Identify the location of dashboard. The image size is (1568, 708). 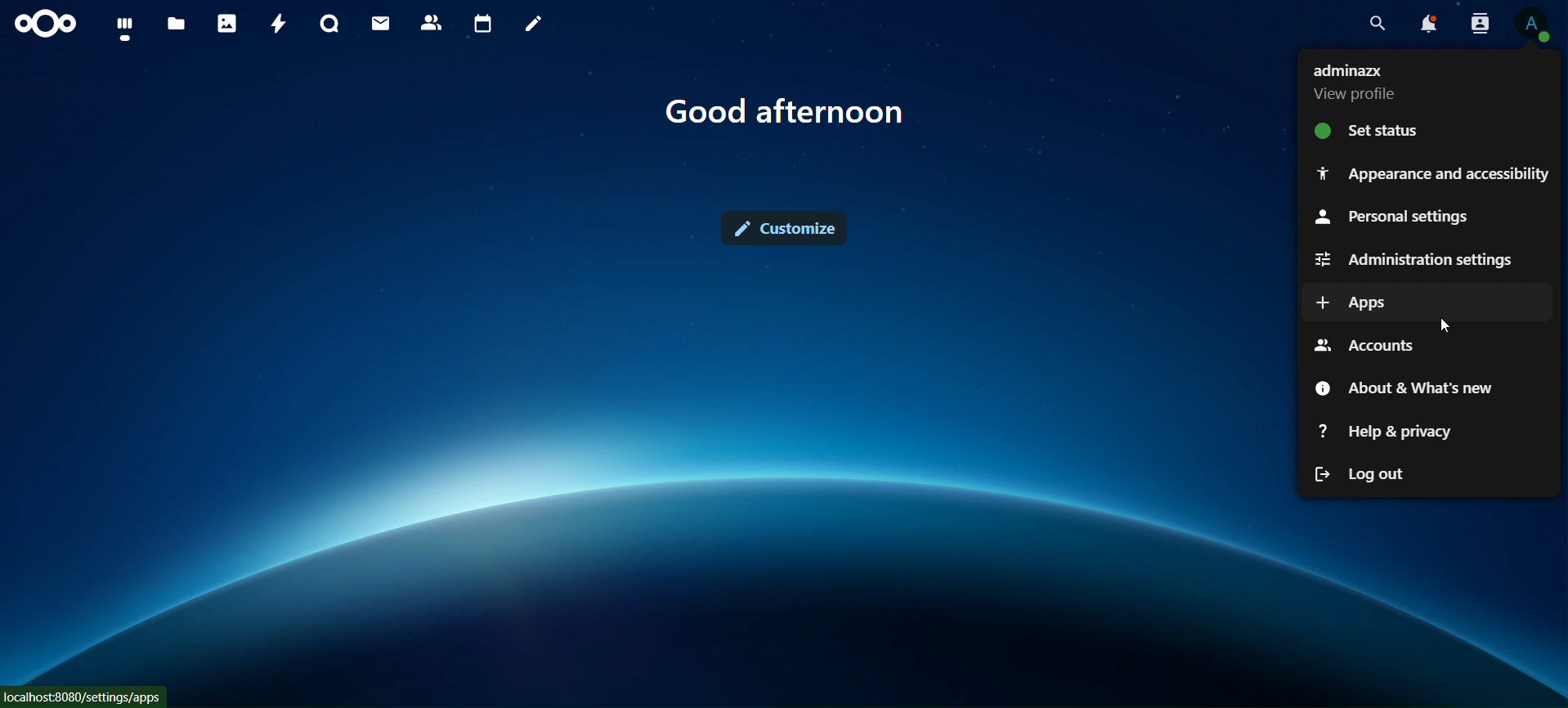
(124, 27).